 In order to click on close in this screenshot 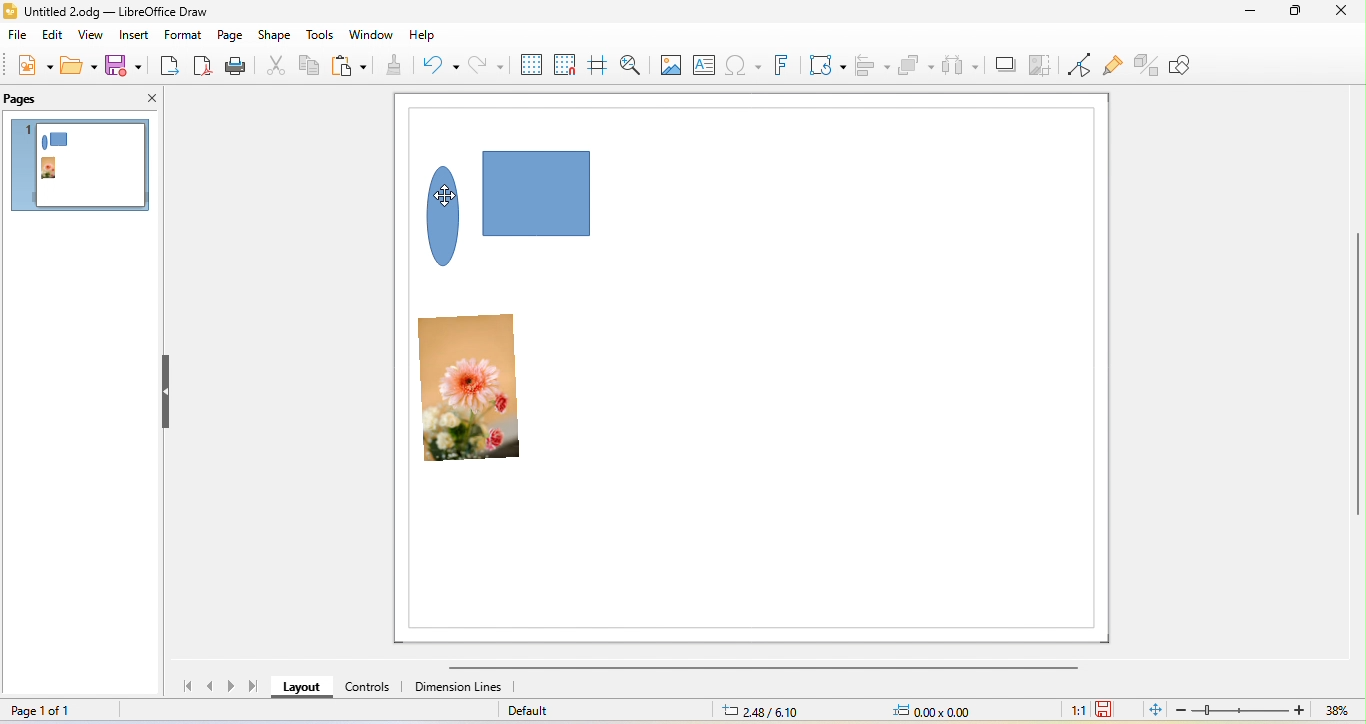, I will do `click(147, 99)`.